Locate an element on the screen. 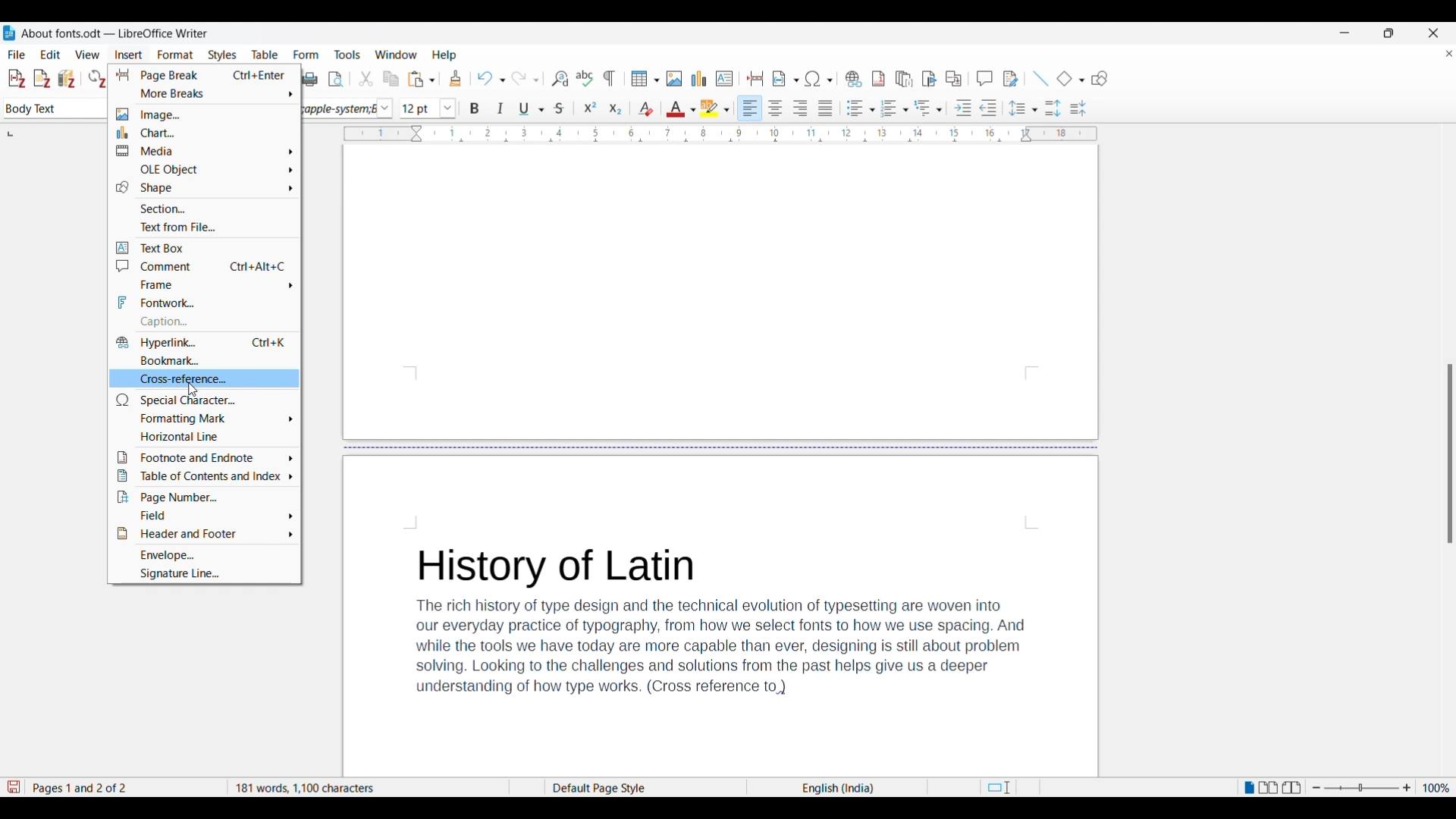 The image size is (1456, 819). Show draw functions is located at coordinates (1100, 79).